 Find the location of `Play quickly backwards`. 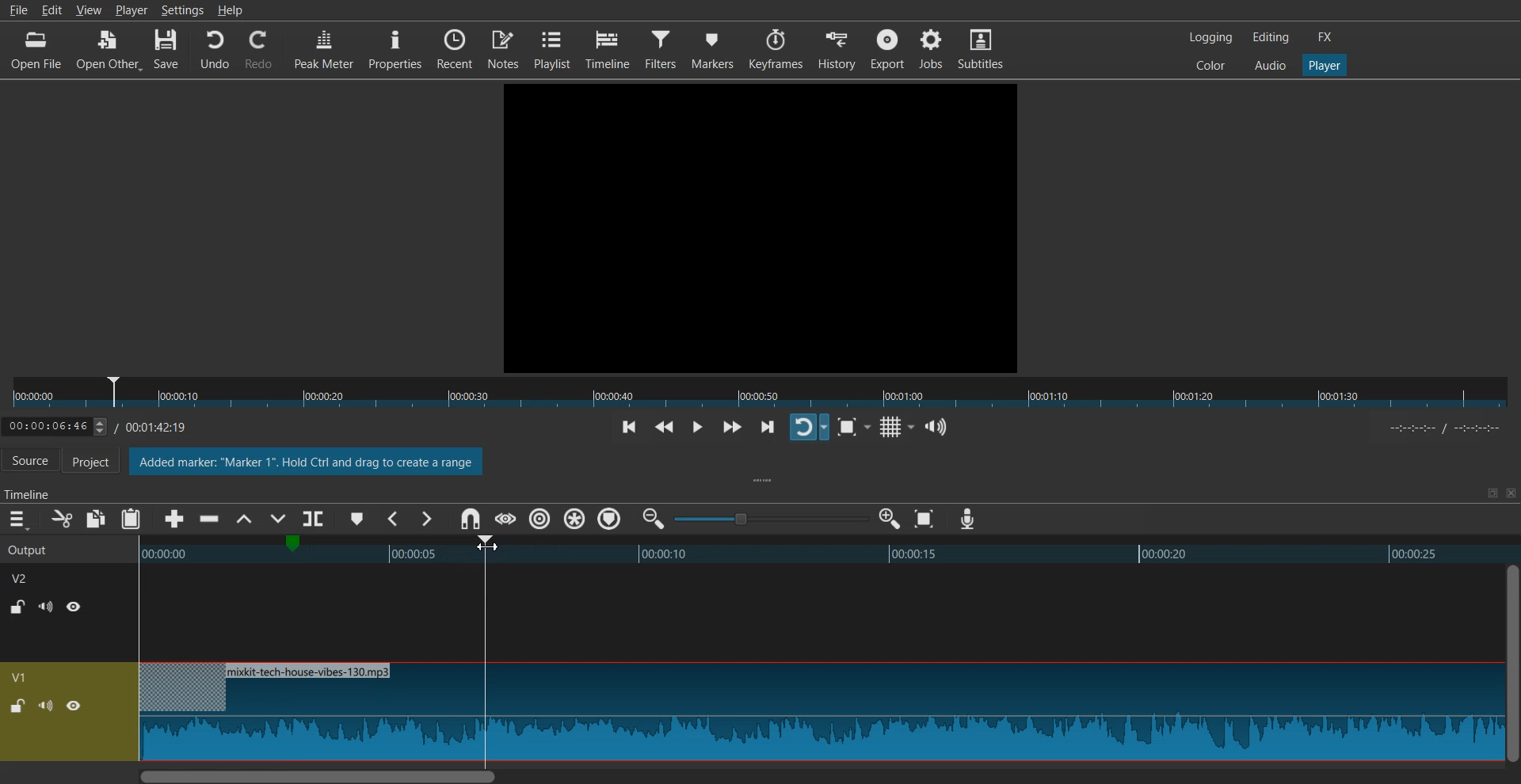

Play quickly backwards is located at coordinates (665, 428).